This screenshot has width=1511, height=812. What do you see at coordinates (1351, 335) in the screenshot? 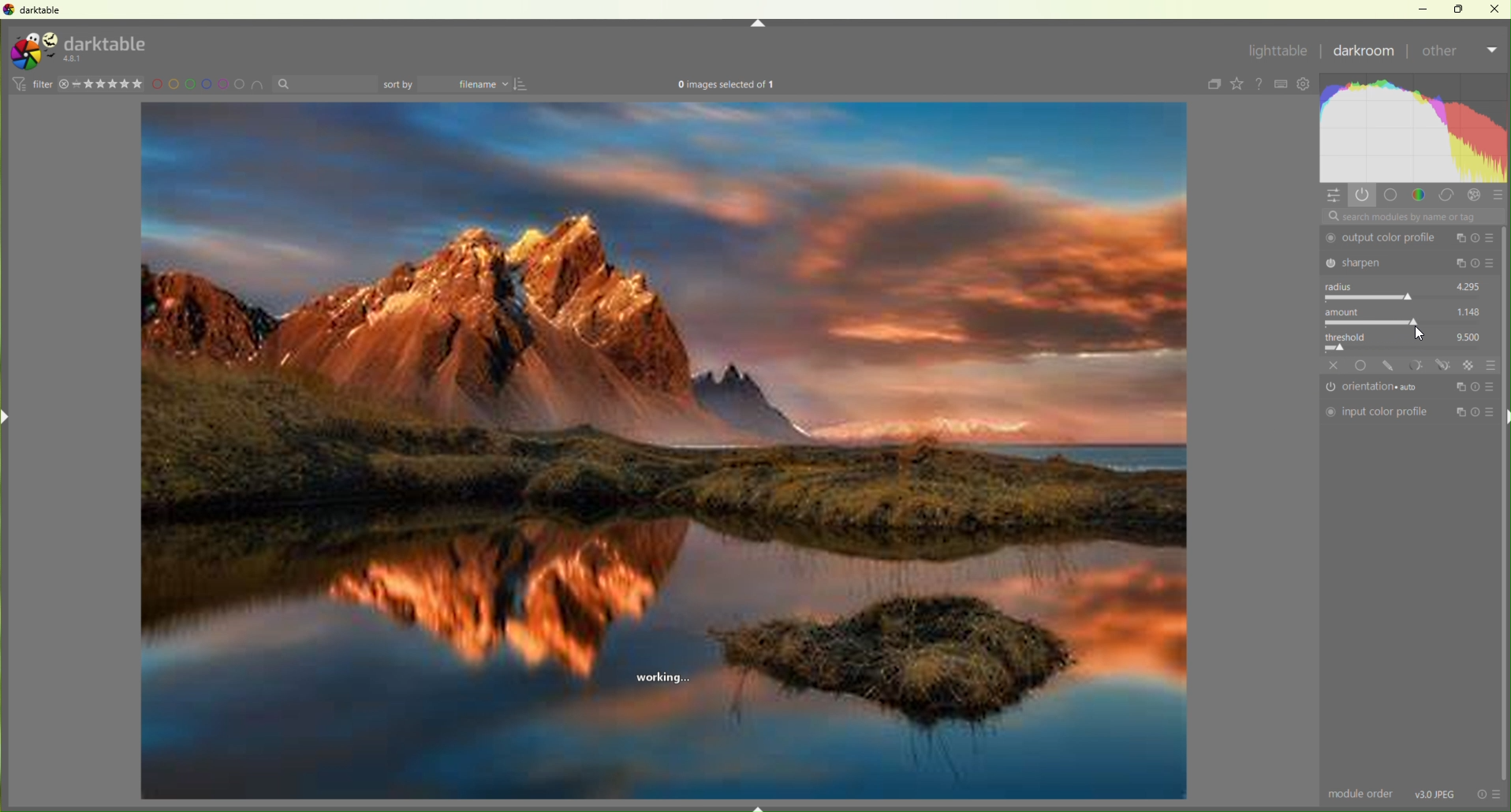
I see `threshold` at bounding box center [1351, 335].